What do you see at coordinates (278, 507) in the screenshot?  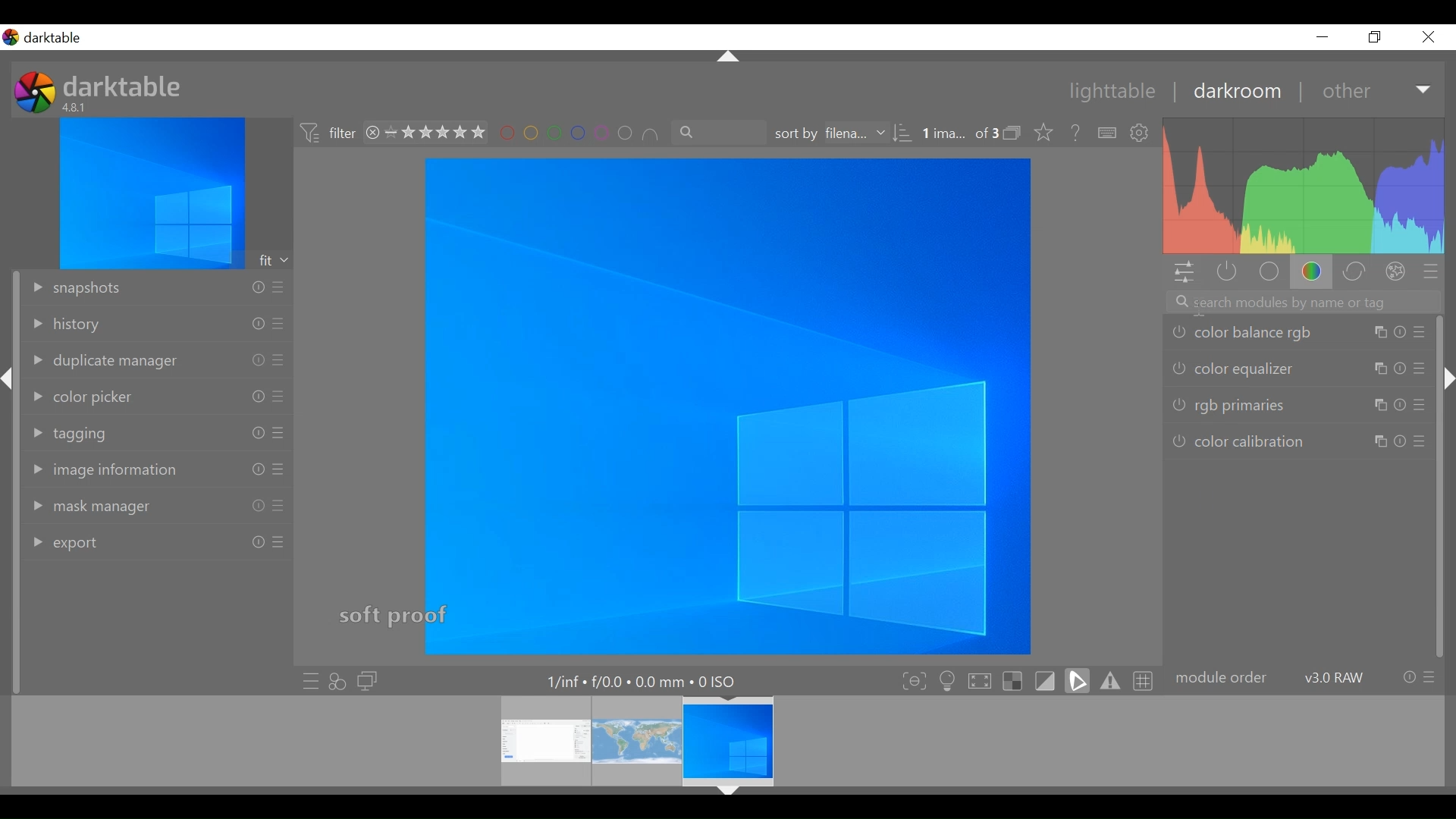 I see `presets` at bounding box center [278, 507].